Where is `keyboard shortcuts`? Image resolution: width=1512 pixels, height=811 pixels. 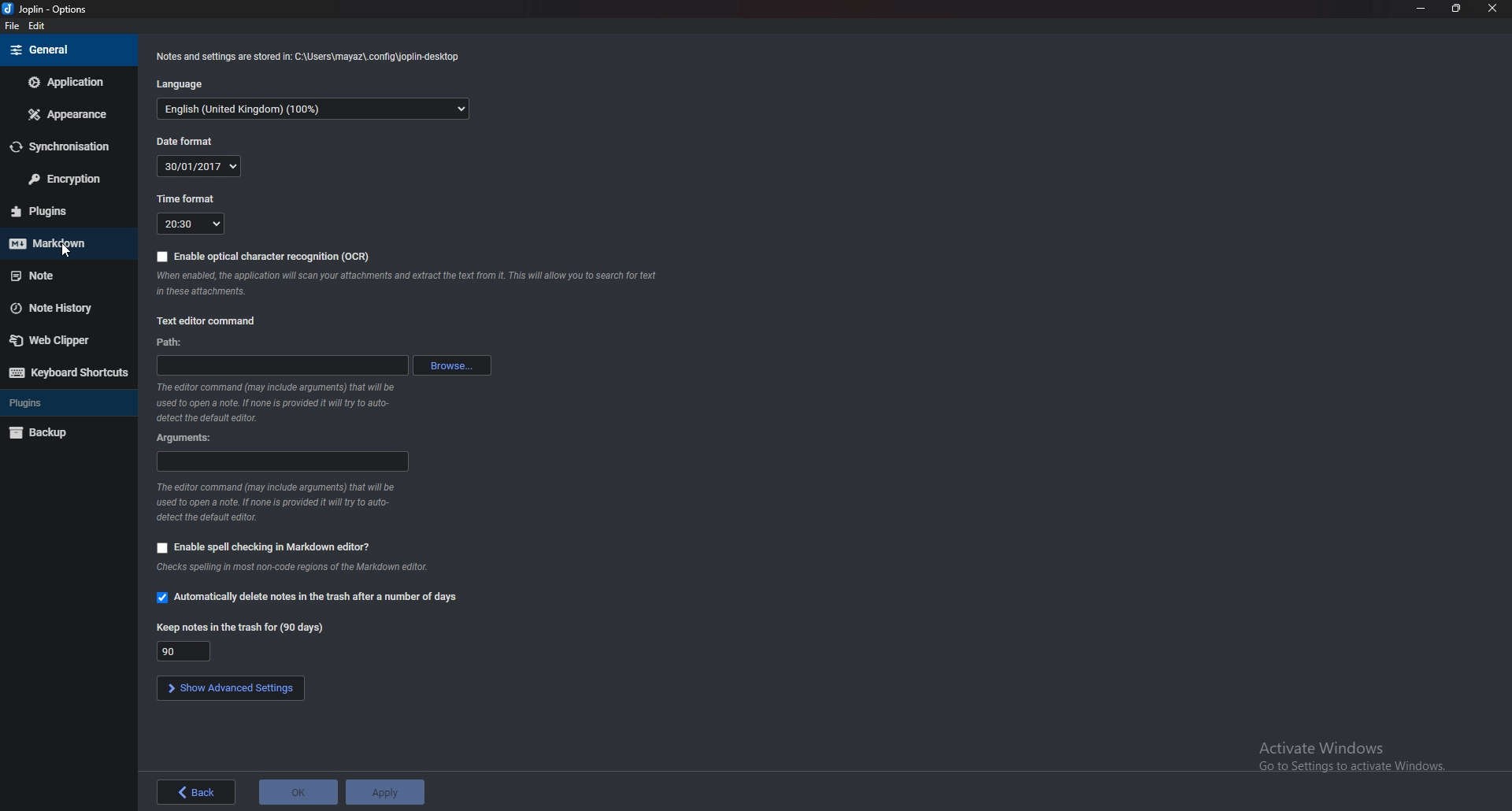 keyboard shortcuts is located at coordinates (69, 373).